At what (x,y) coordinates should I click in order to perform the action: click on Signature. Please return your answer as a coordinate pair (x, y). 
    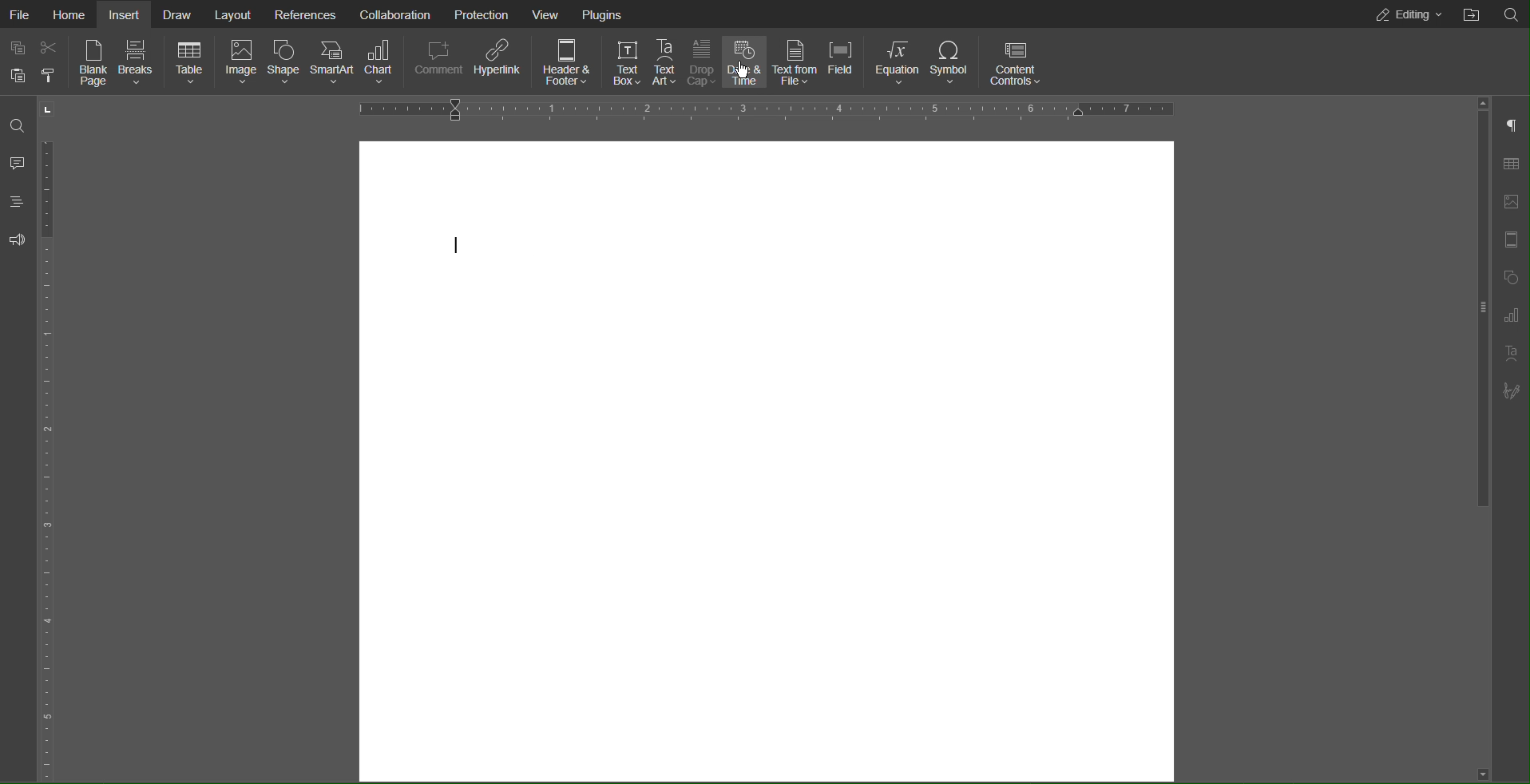
    Looking at the image, I should click on (1511, 391).